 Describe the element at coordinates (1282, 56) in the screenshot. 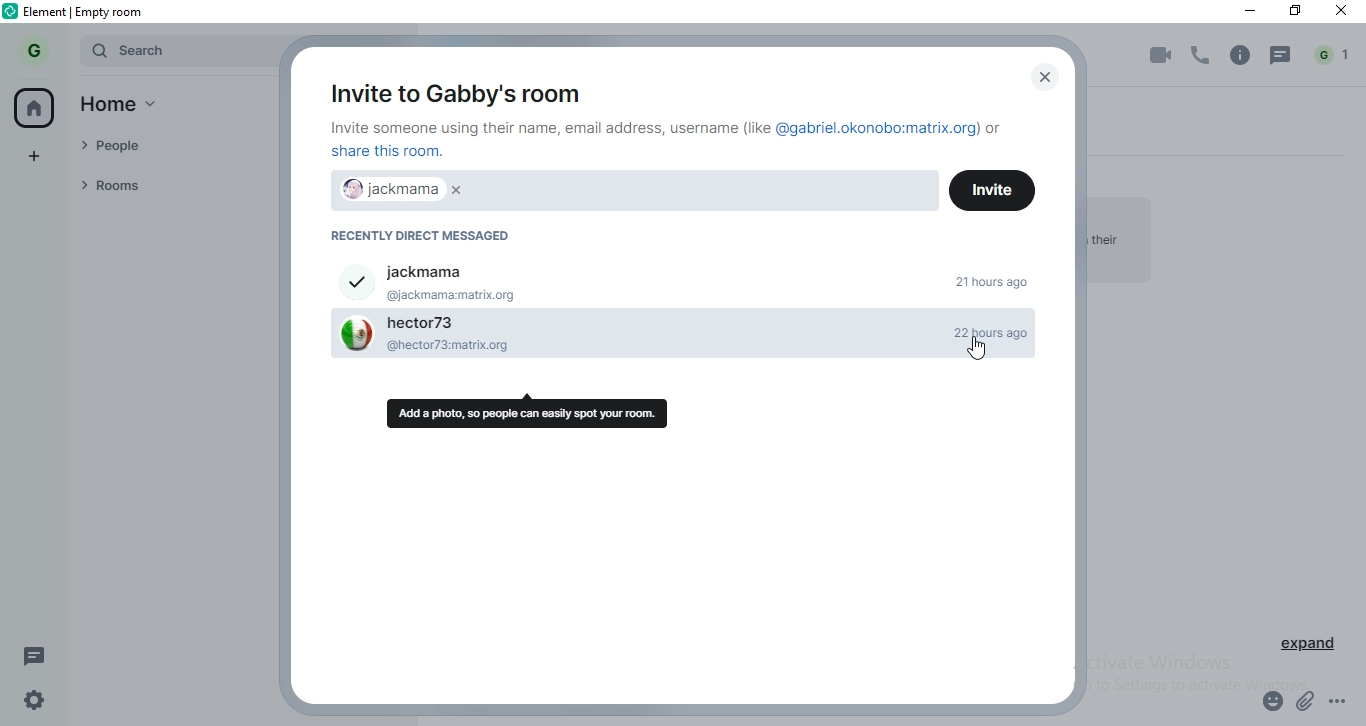

I see `chat` at that location.